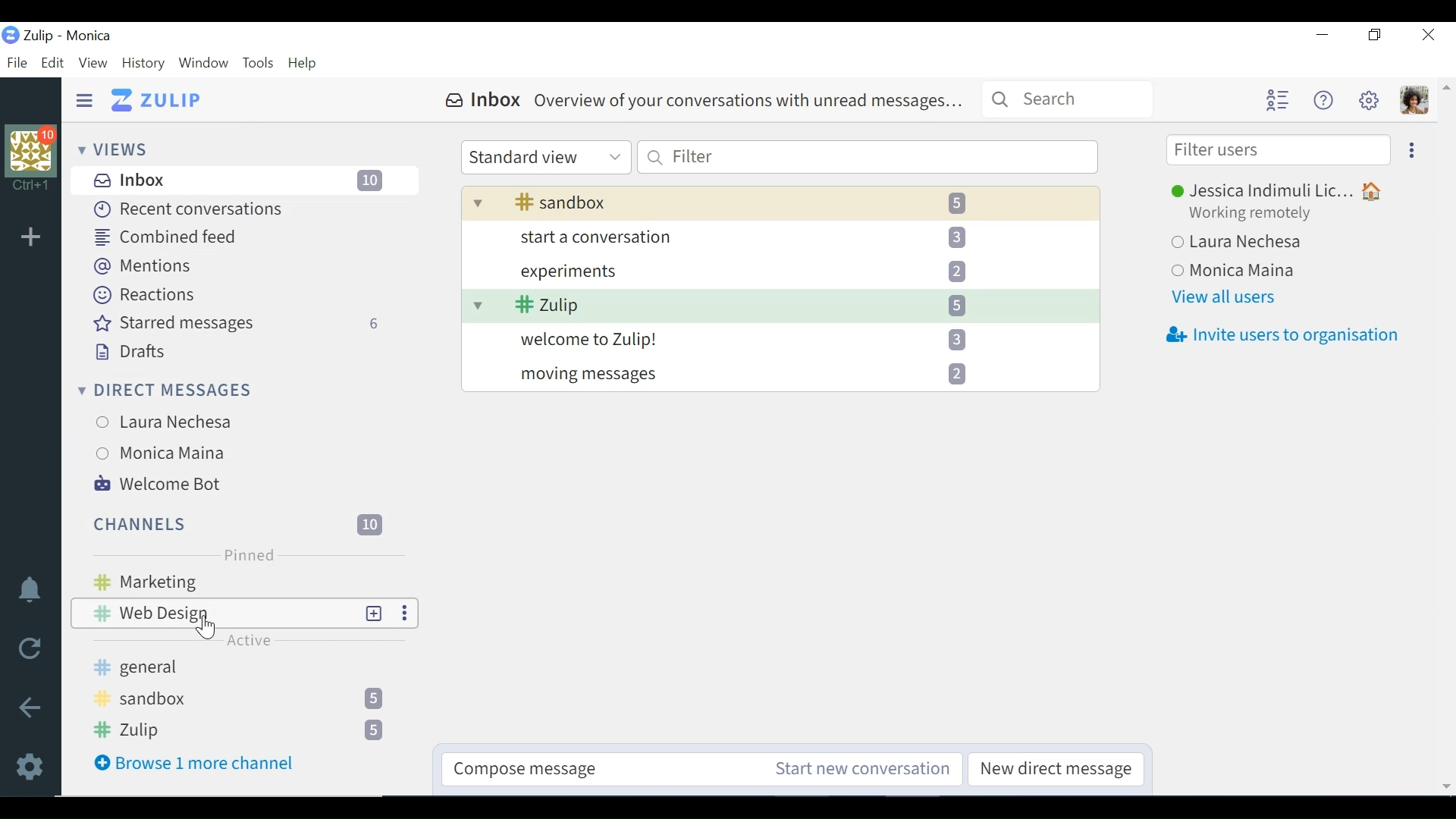  I want to click on Filter bar, so click(868, 157).